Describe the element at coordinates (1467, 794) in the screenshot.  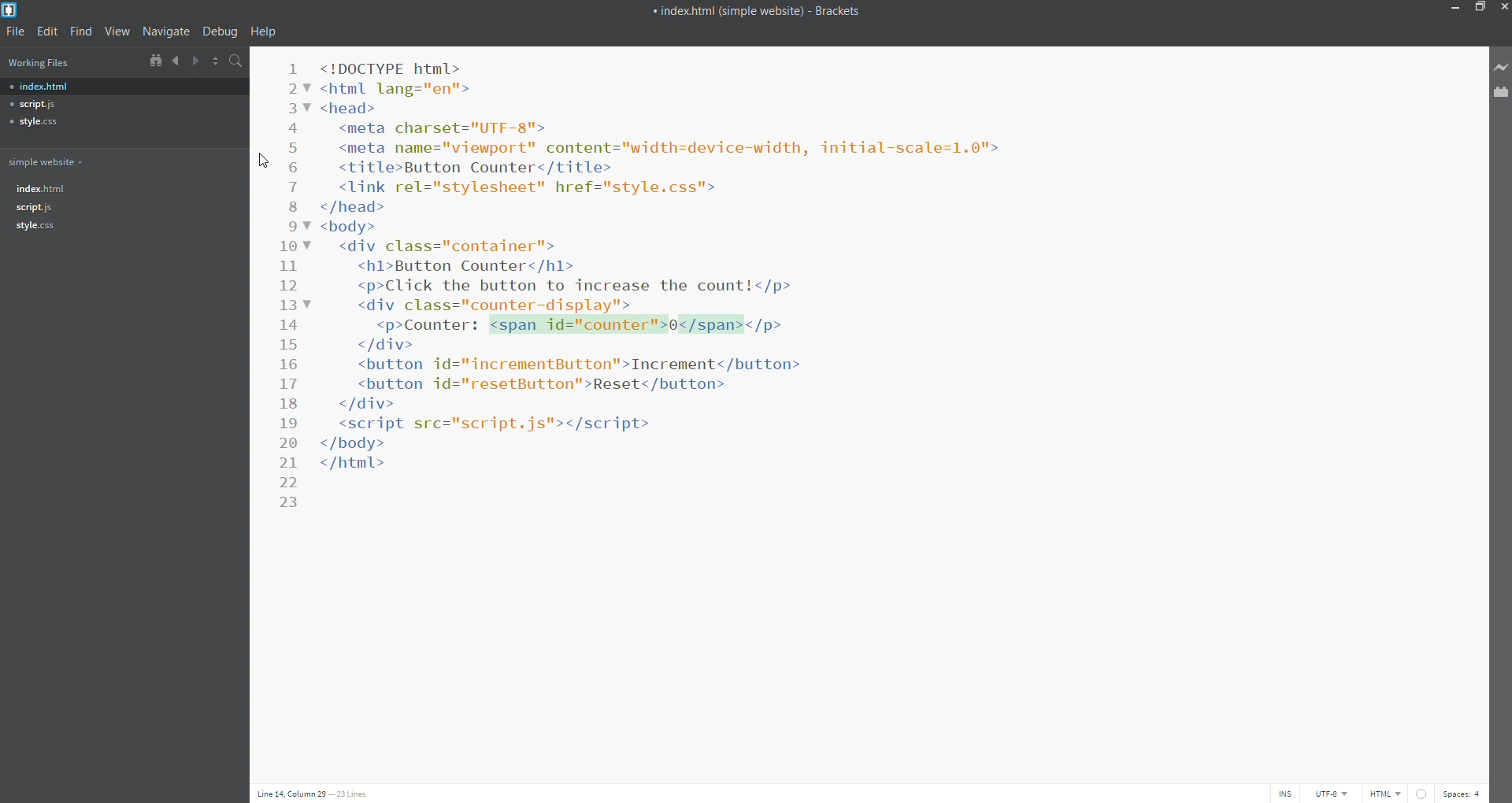
I see `space count` at that location.